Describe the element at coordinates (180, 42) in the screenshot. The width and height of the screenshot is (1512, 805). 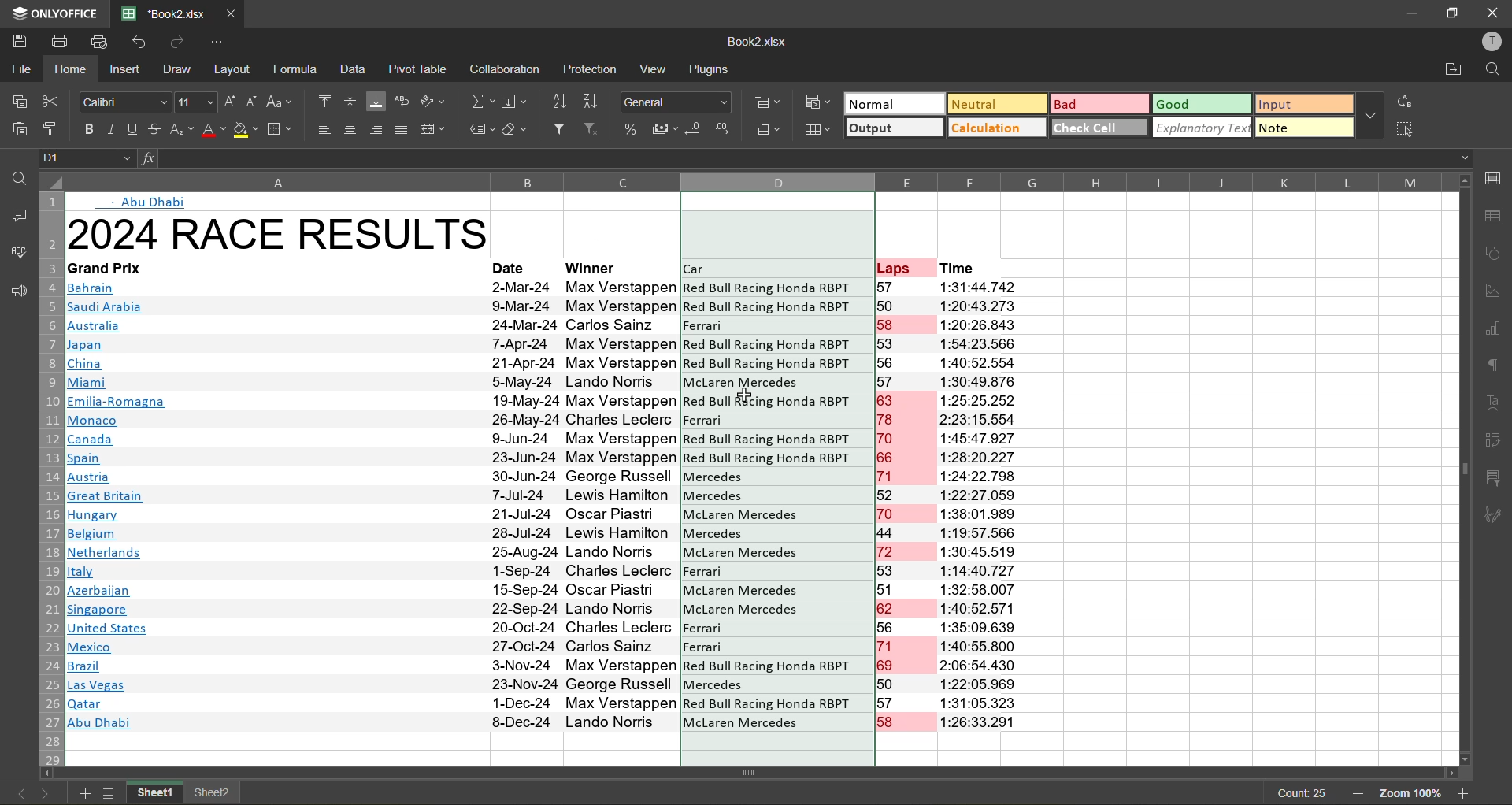
I see `redo` at that location.